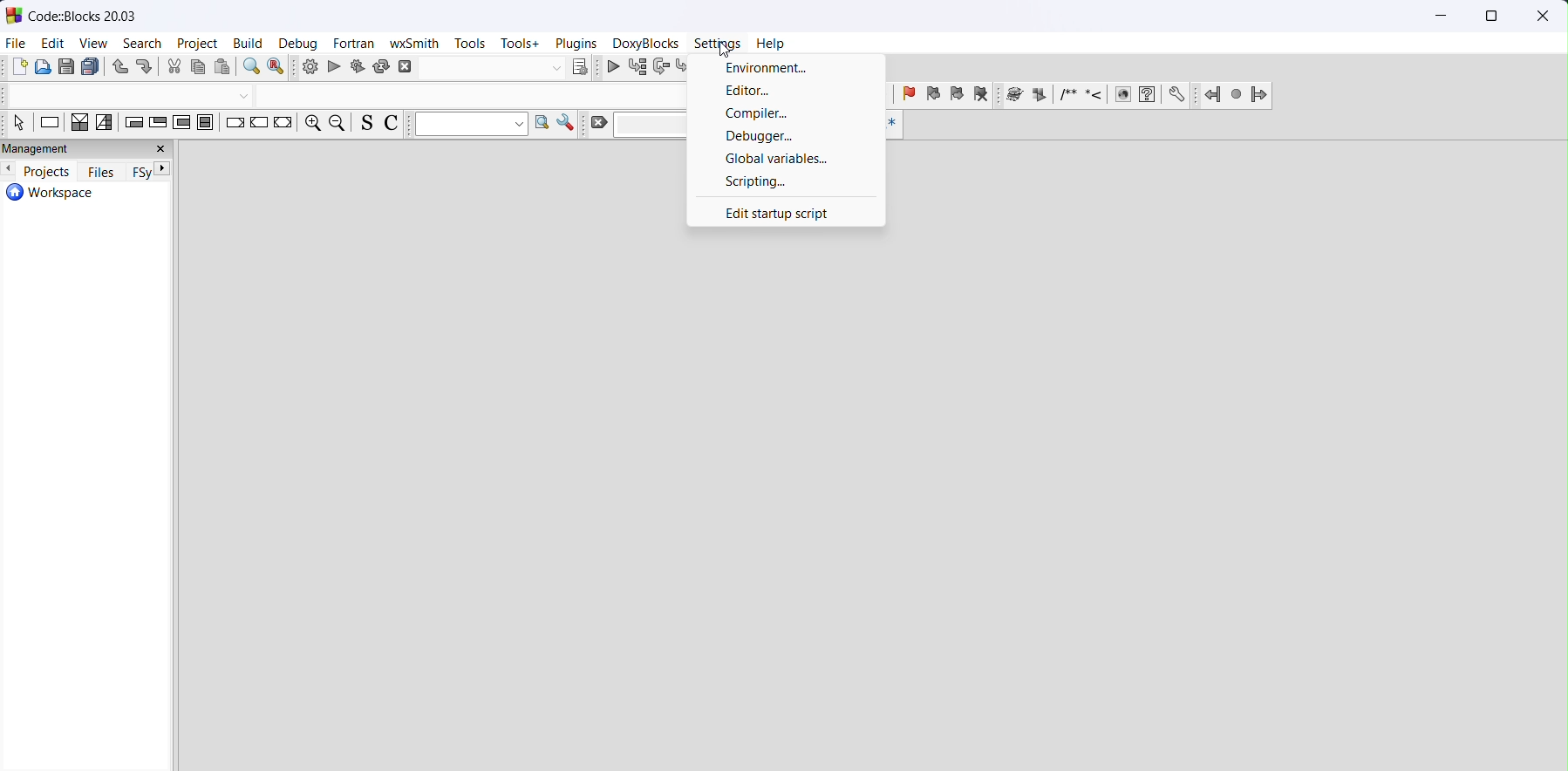 This screenshot has height=771, width=1568. What do you see at coordinates (139, 173) in the screenshot?
I see `FSy` at bounding box center [139, 173].